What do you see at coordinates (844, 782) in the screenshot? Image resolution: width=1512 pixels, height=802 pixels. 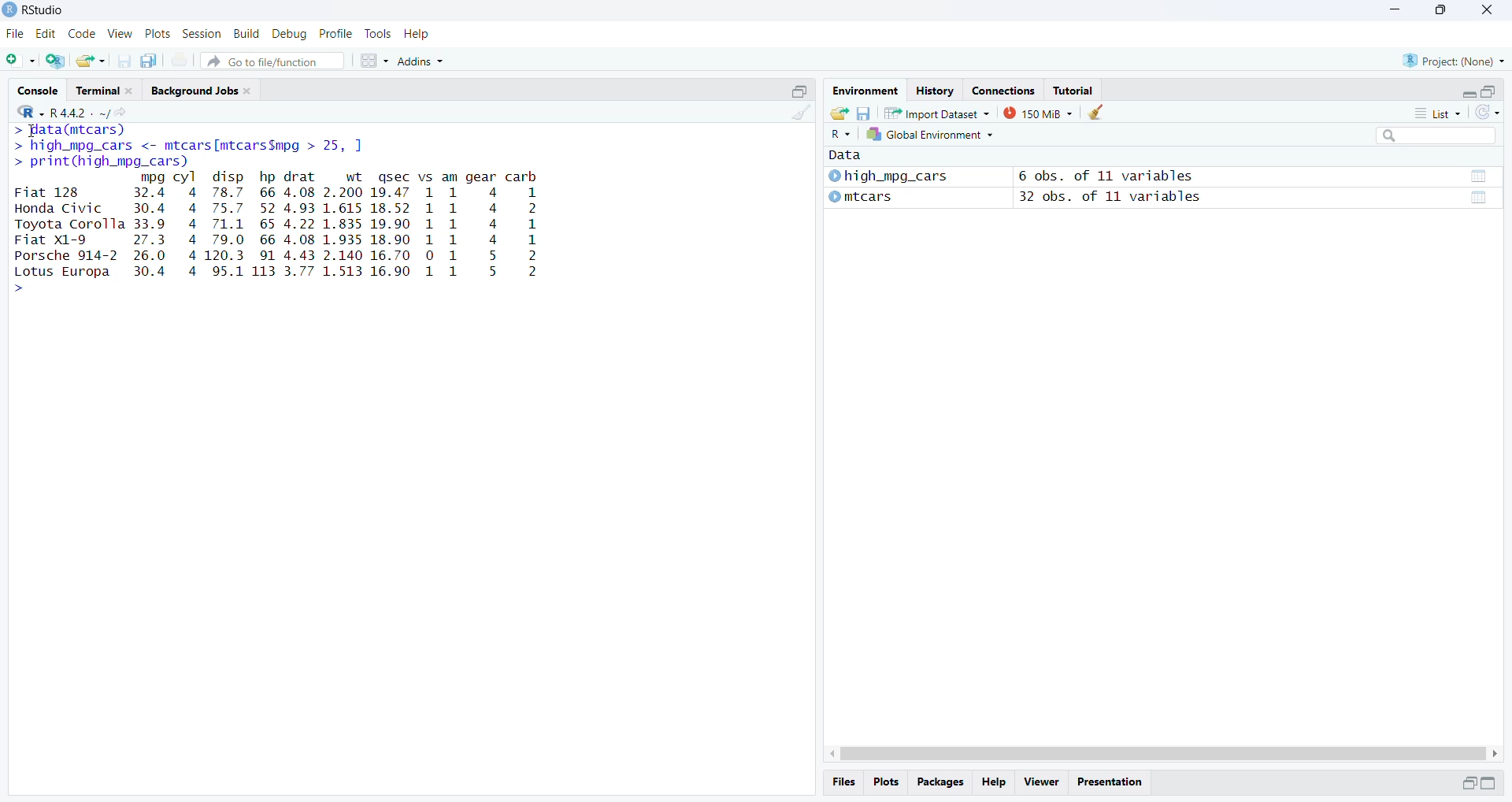 I see `Files` at bounding box center [844, 782].